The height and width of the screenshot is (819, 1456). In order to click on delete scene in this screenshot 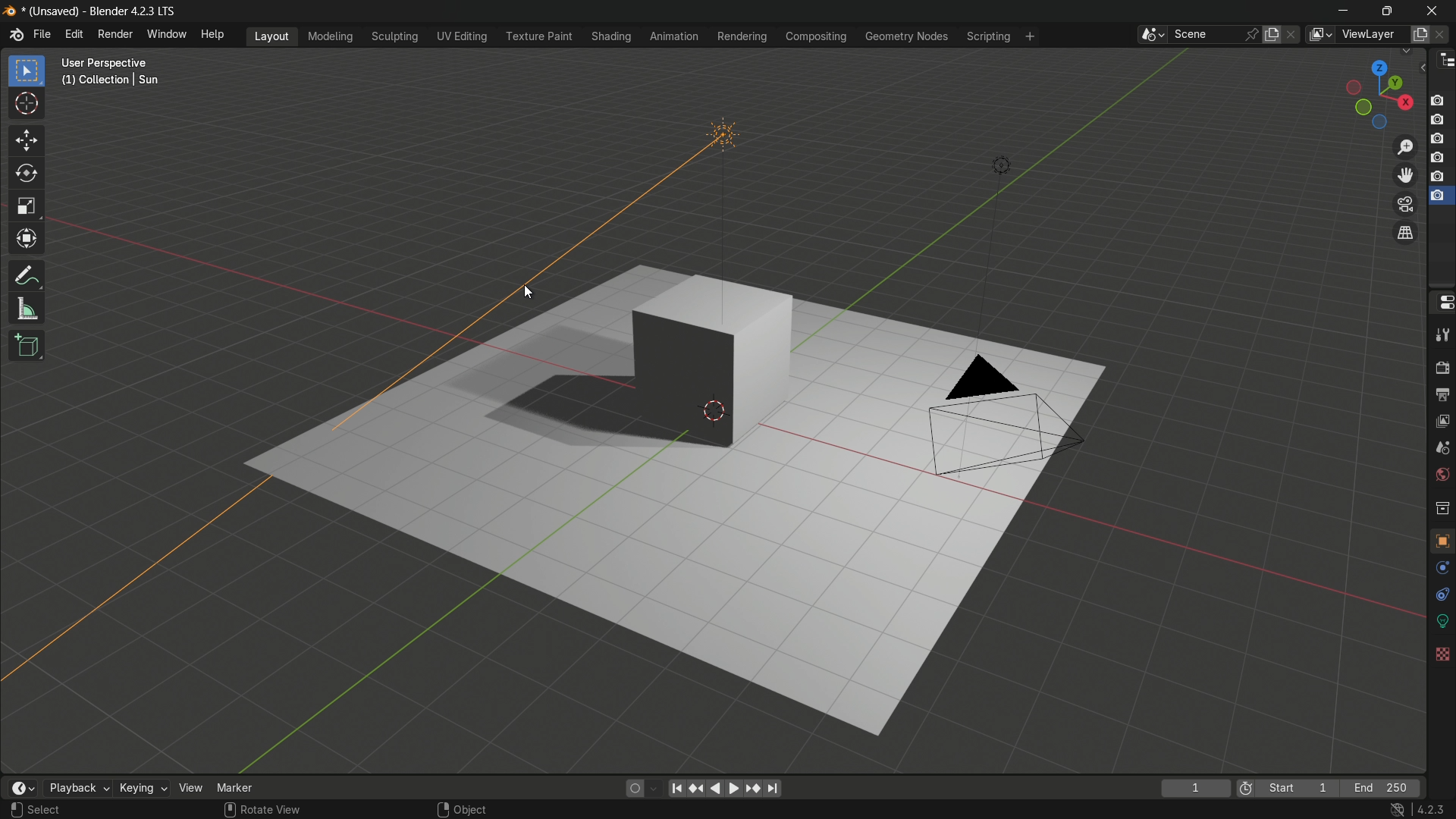, I will do `click(1294, 34)`.